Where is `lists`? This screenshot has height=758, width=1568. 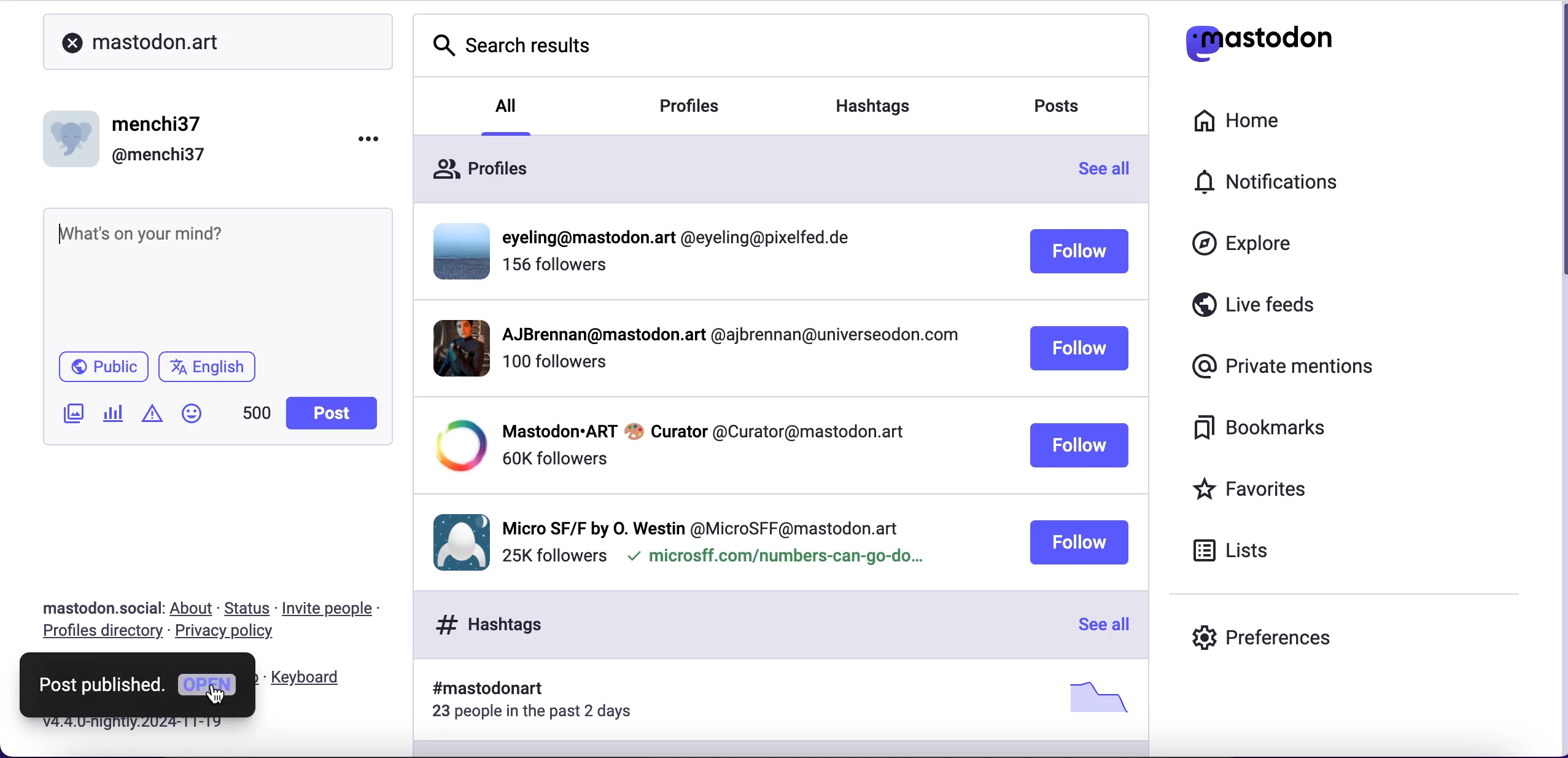
lists is located at coordinates (1237, 552).